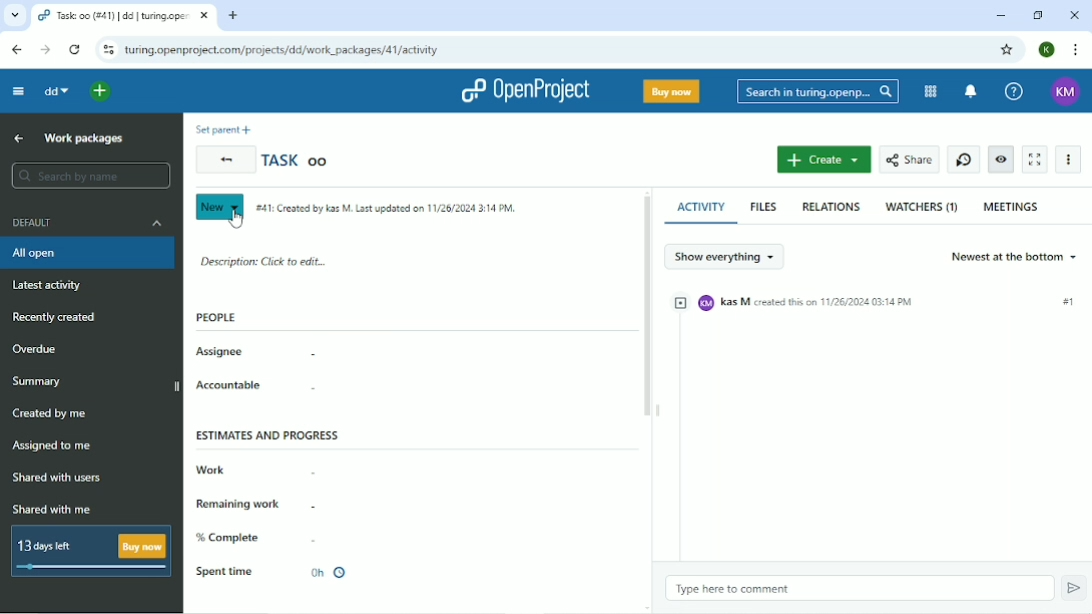  Describe the element at coordinates (763, 207) in the screenshot. I see `FILES` at that location.